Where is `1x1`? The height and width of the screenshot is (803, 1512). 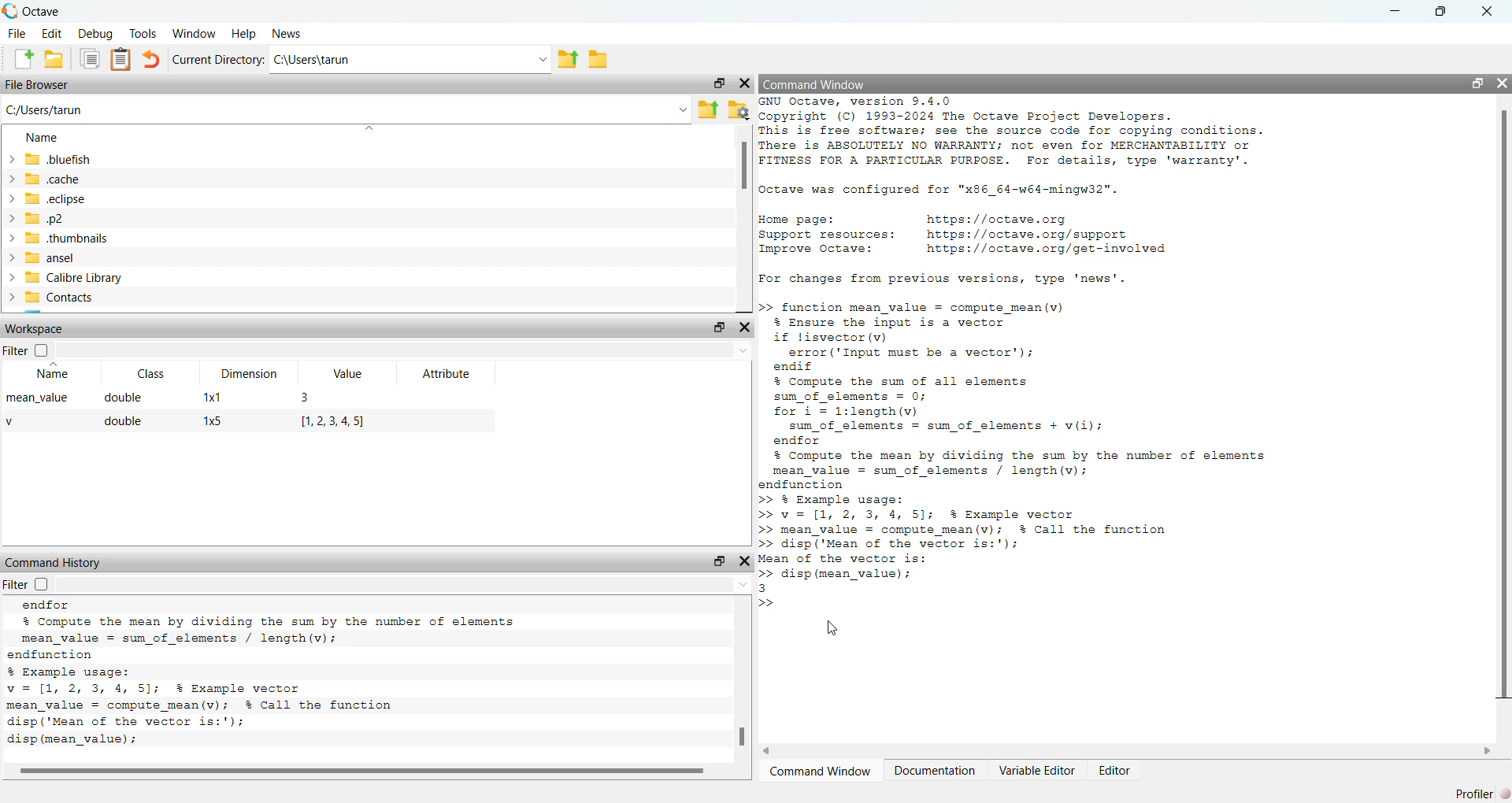 1x1 is located at coordinates (212, 397).